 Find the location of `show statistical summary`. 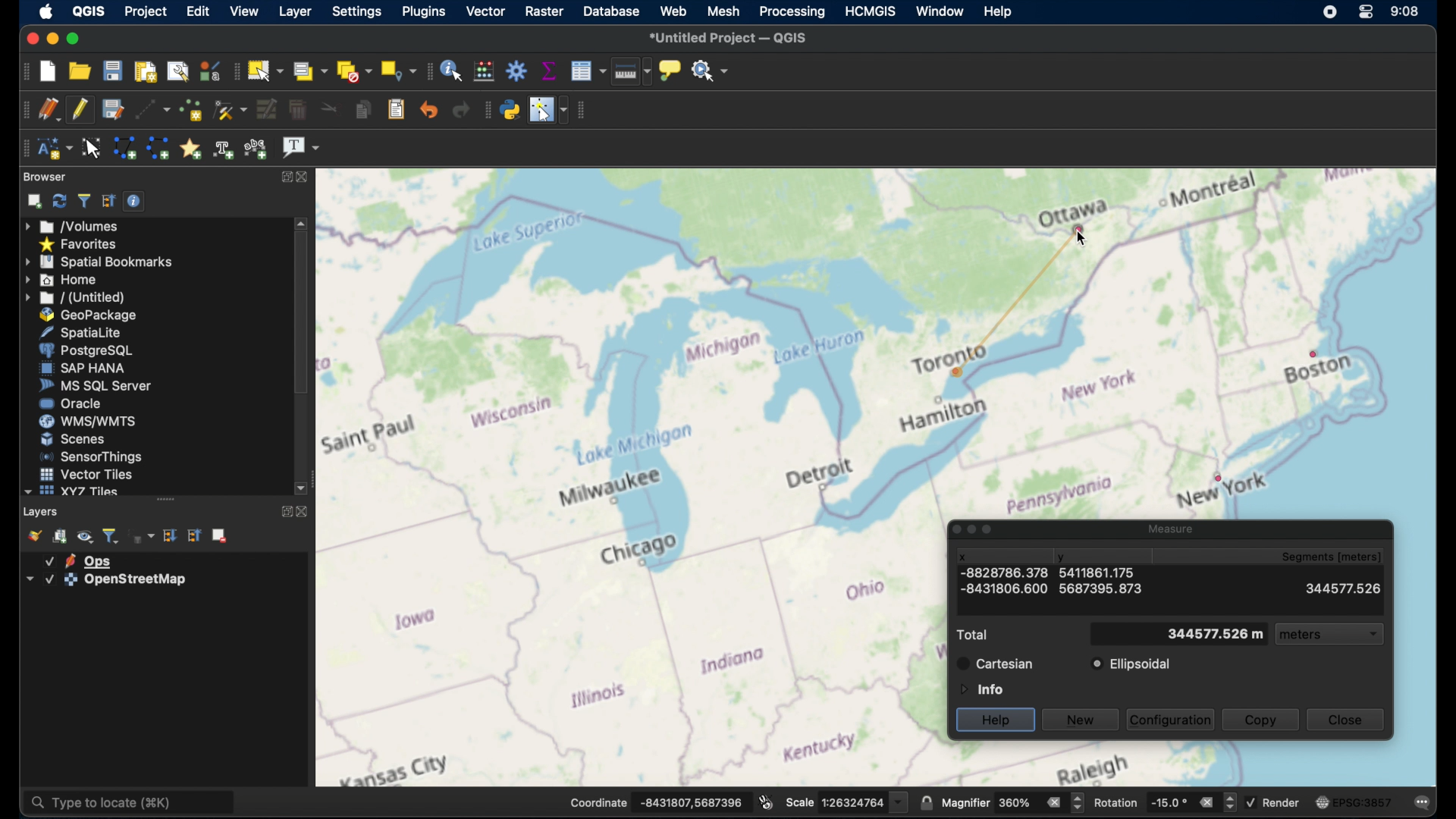

show statistical summary is located at coordinates (549, 69).